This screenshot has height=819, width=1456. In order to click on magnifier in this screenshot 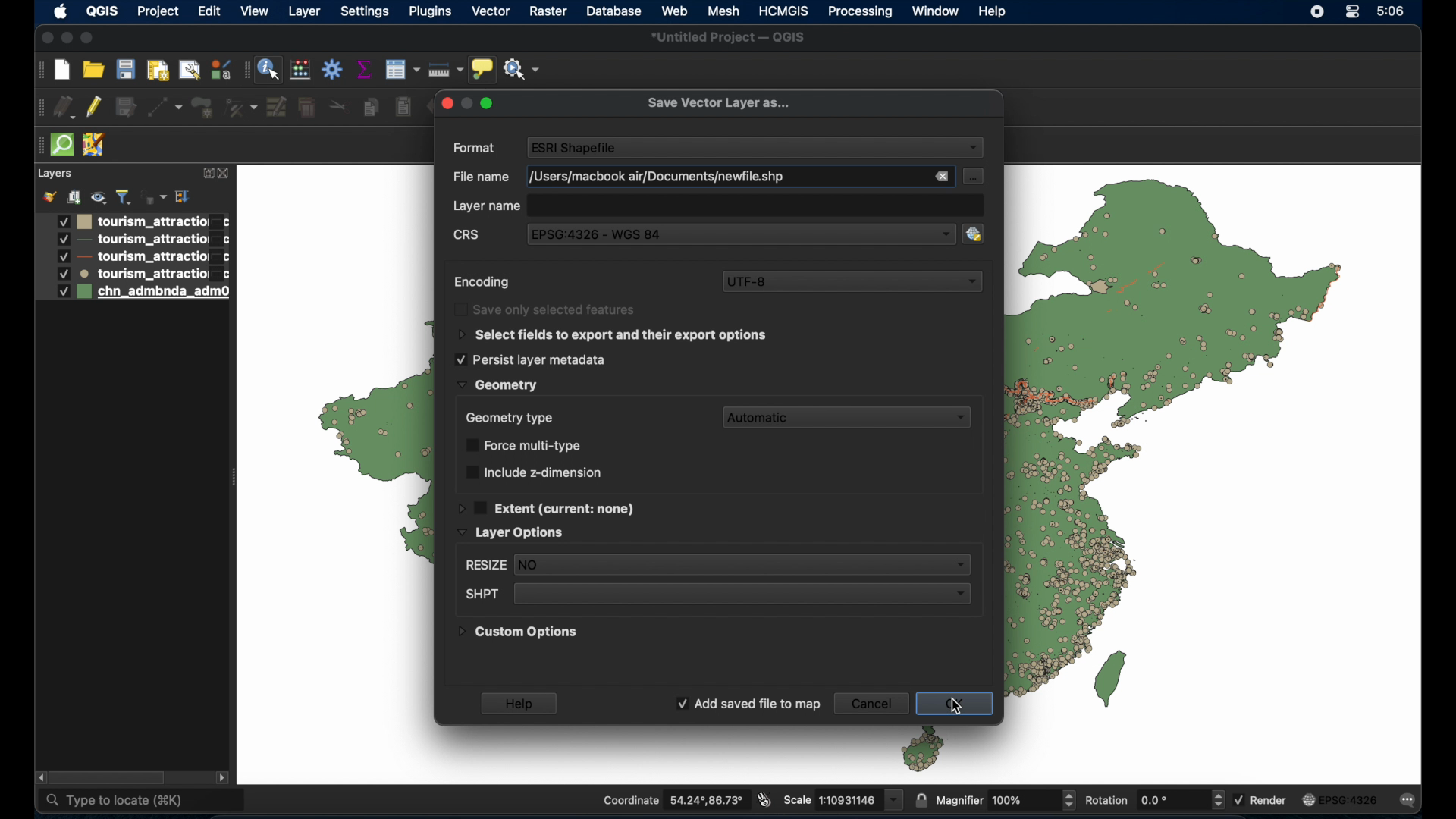, I will do `click(1005, 799)`.